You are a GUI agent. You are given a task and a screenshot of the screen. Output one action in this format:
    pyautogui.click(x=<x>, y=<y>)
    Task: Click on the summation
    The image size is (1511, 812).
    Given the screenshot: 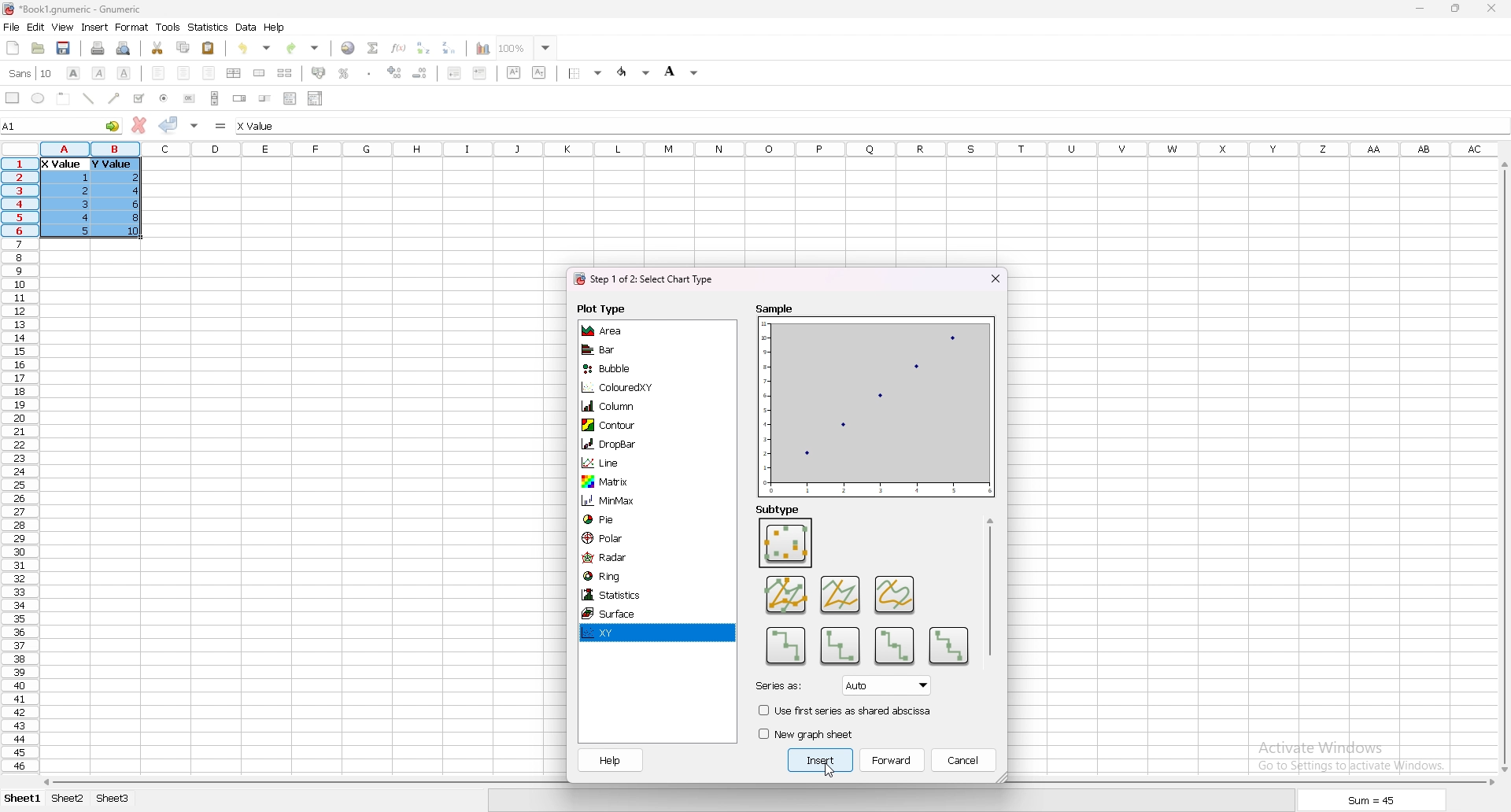 What is the action you would take?
    pyautogui.click(x=372, y=47)
    